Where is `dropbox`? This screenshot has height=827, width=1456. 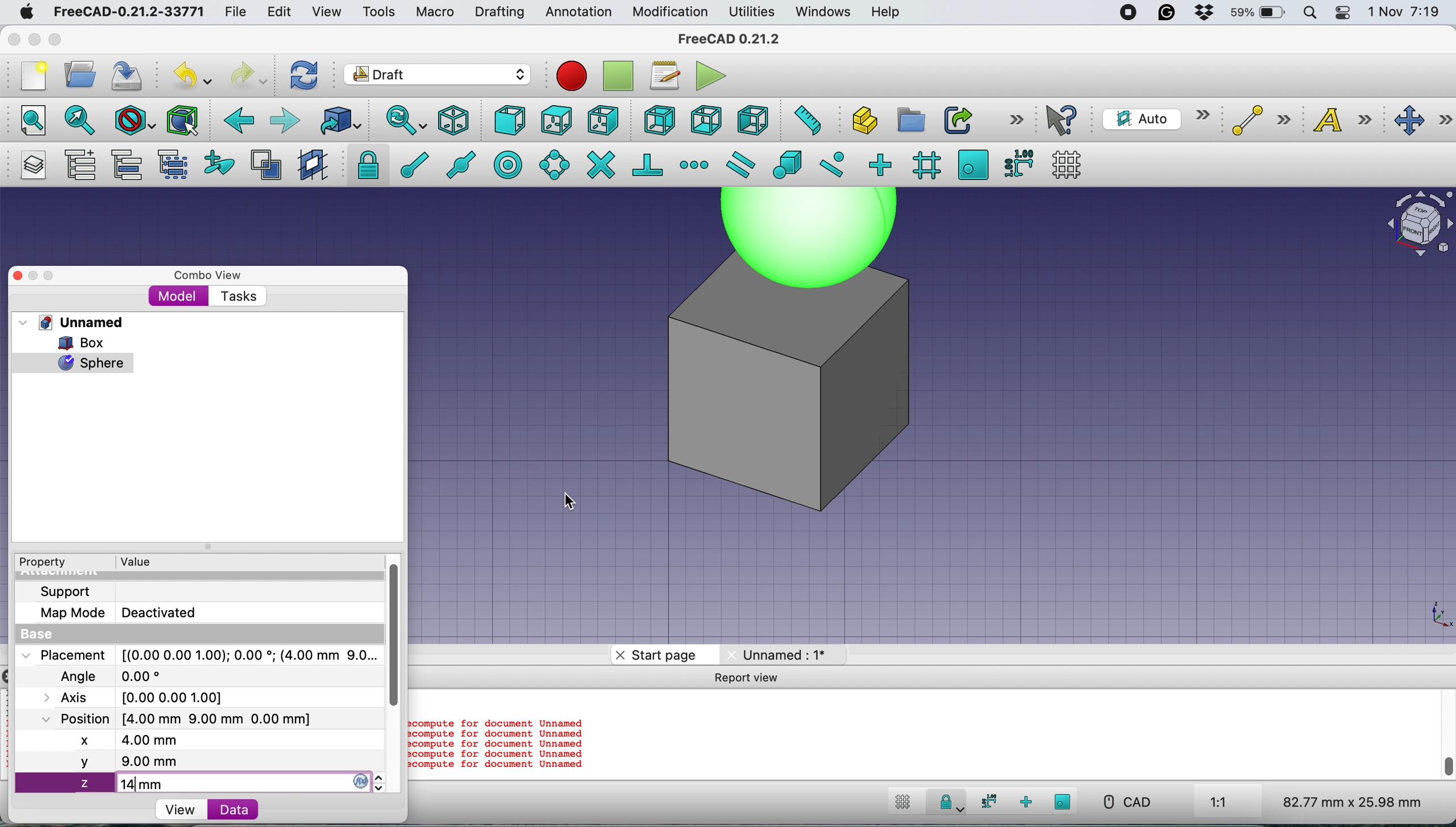 dropbox is located at coordinates (1199, 14).